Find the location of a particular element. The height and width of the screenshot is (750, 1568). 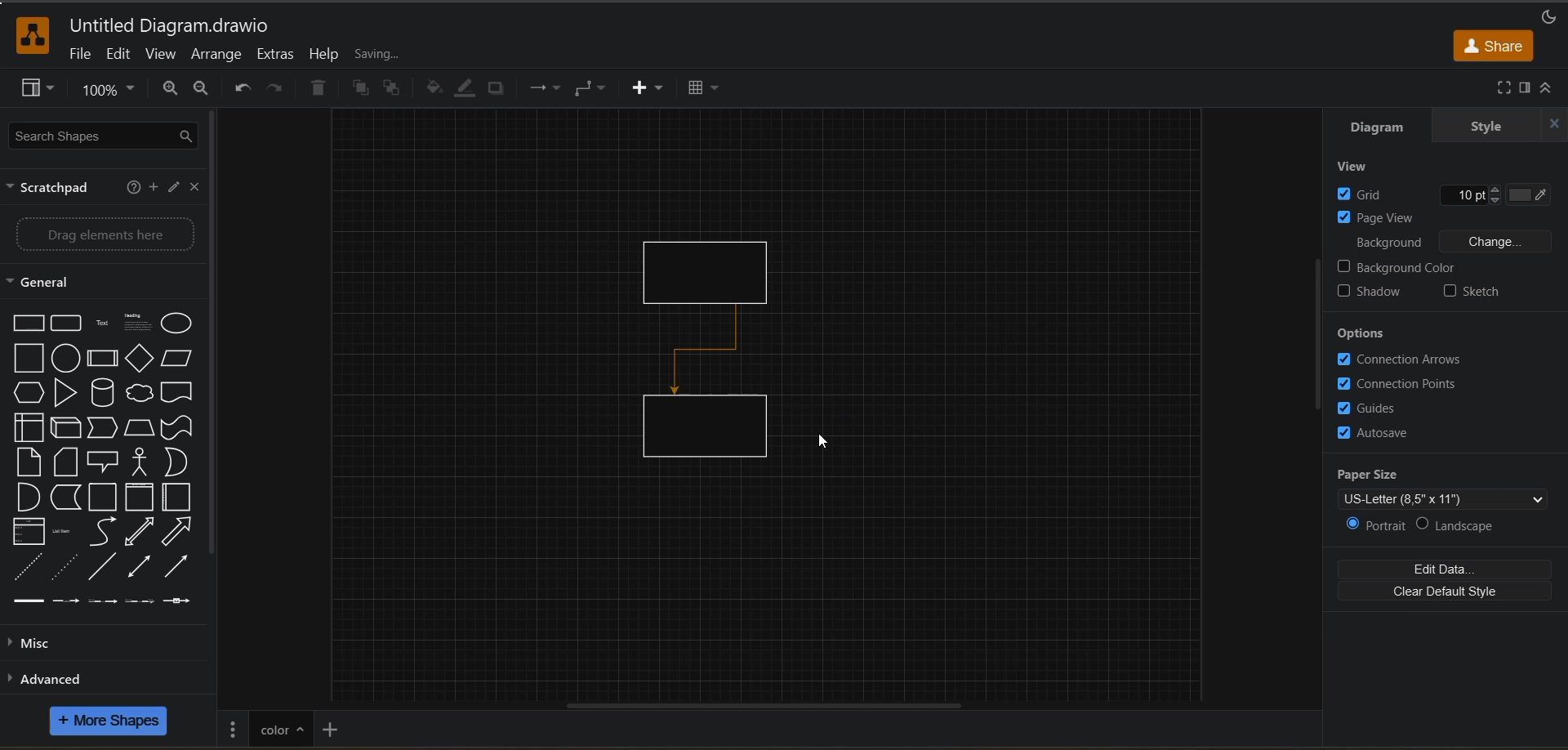

style is located at coordinates (1485, 127).